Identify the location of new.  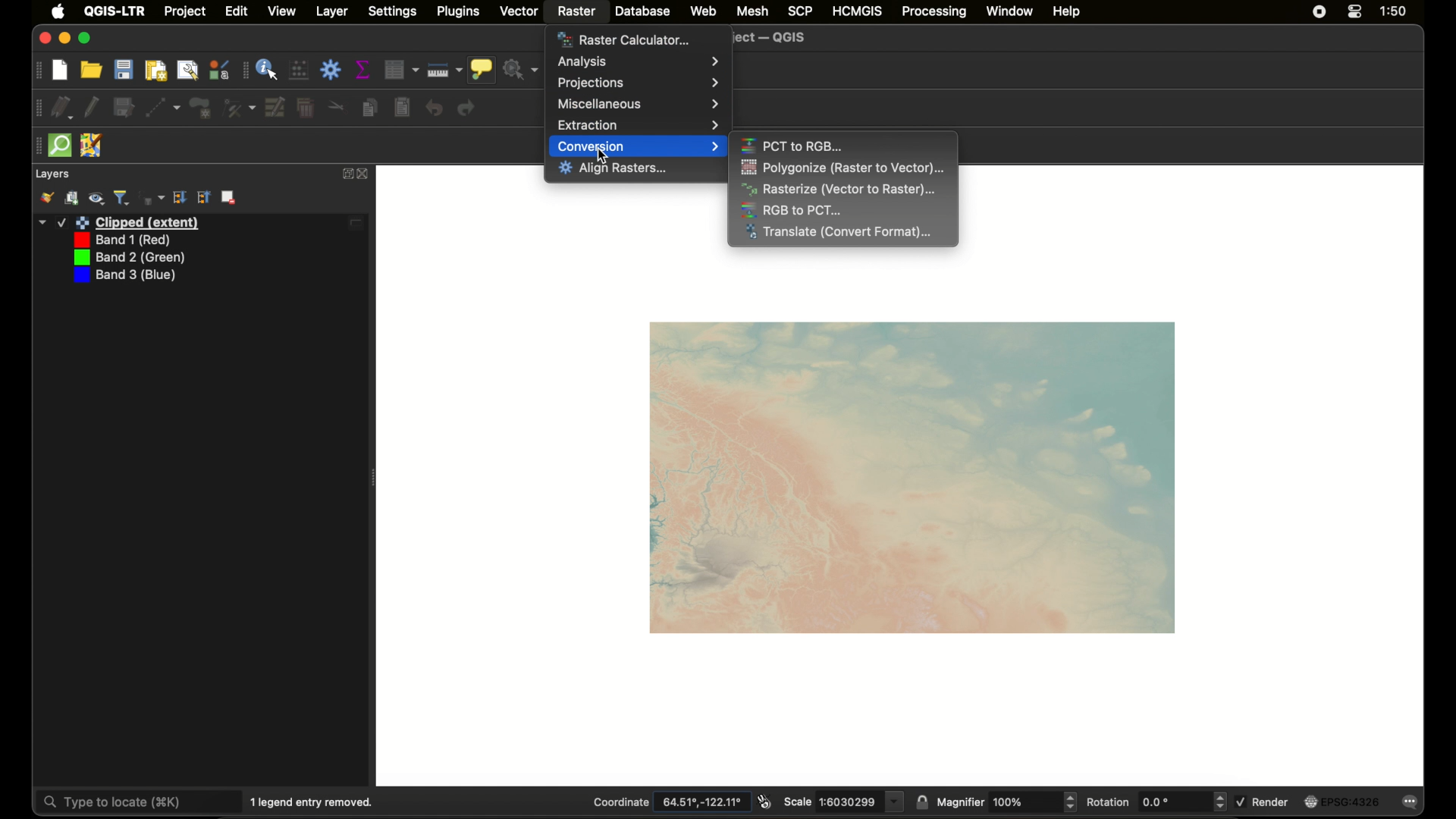
(60, 71).